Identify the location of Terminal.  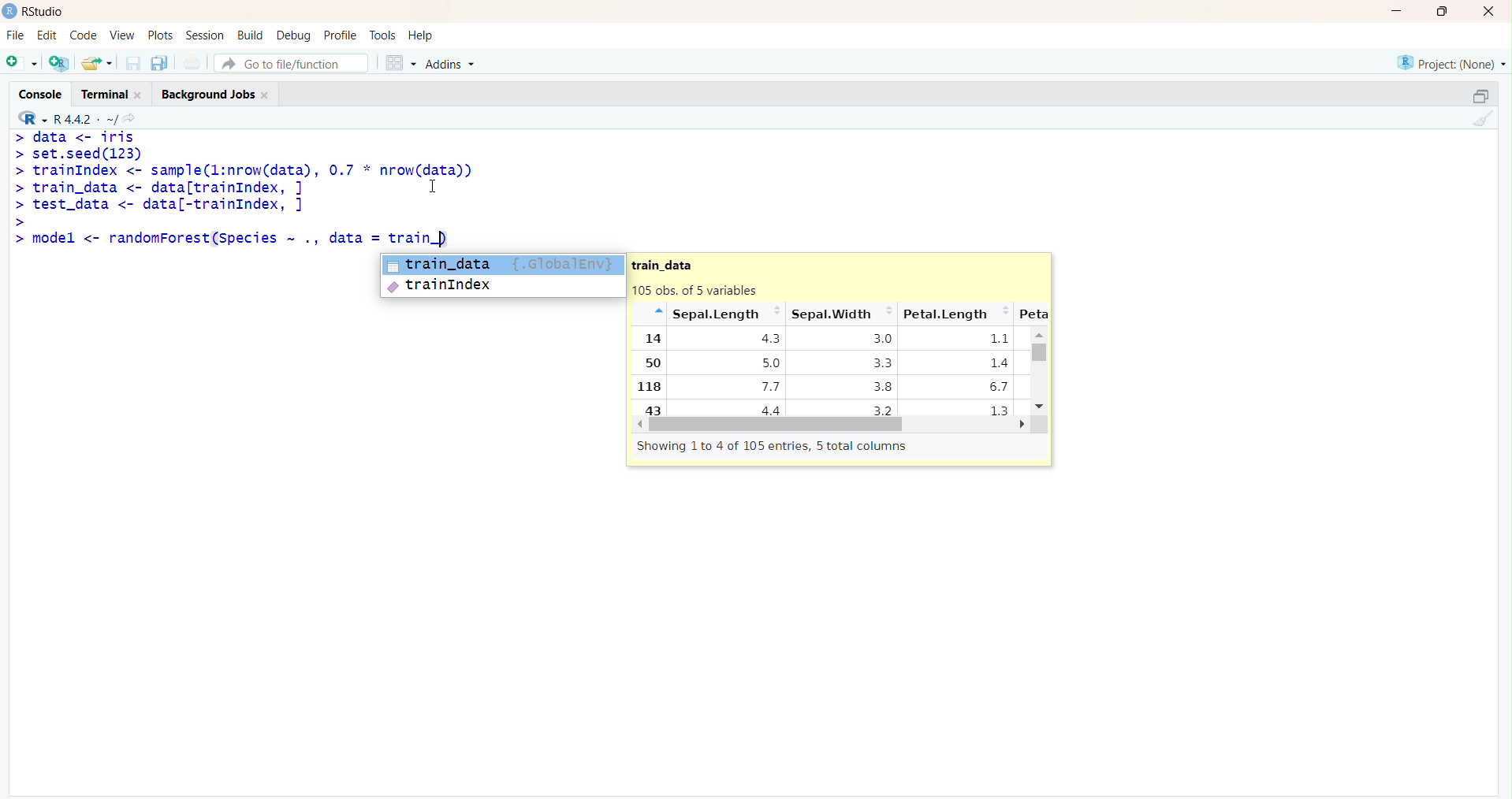
(110, 91).